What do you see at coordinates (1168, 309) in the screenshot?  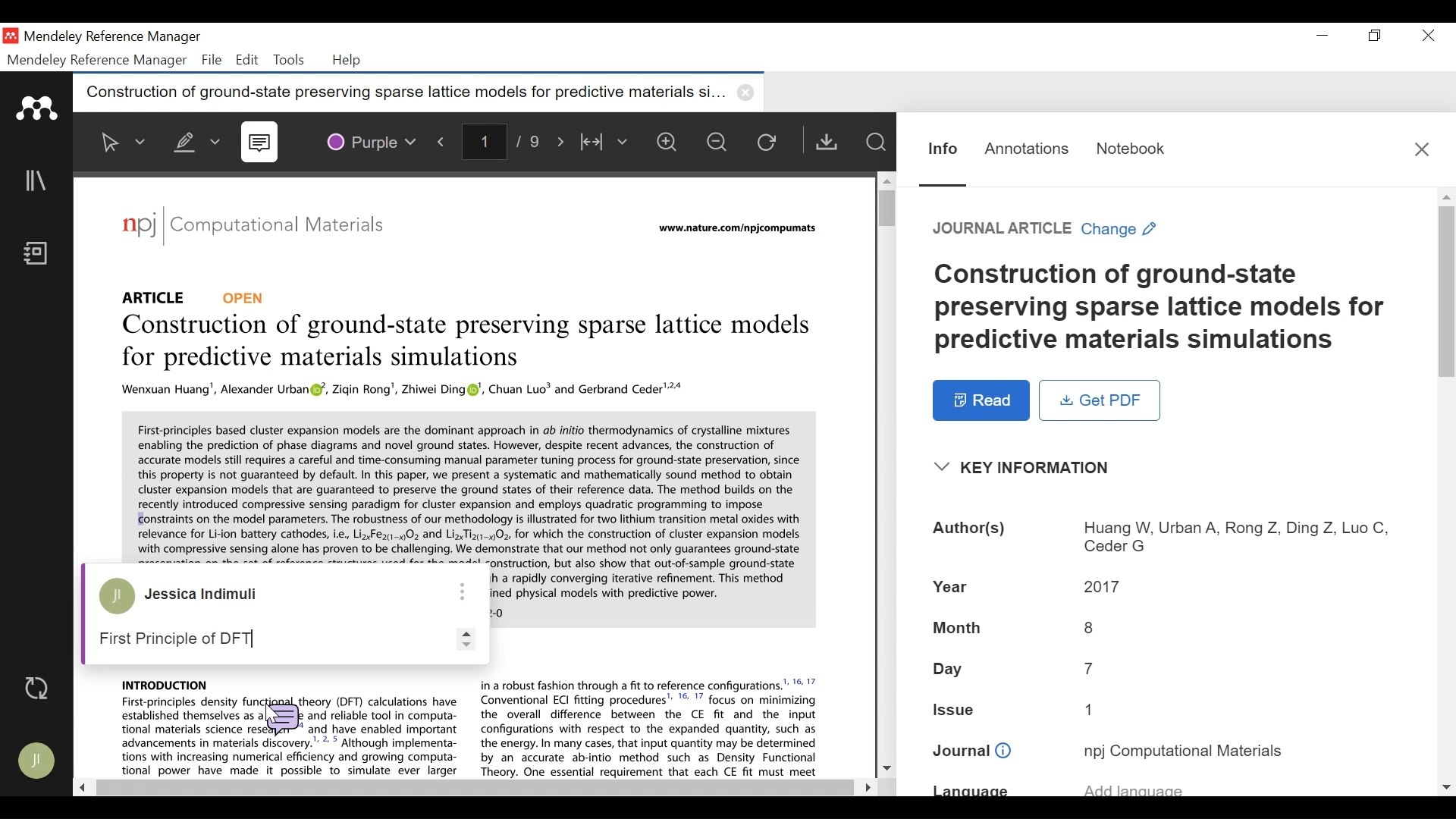 I see `Title: Title: Construction of ground-state preserving sparse lattice models for predictive materials simulations` at bounding box center [1168, 309].